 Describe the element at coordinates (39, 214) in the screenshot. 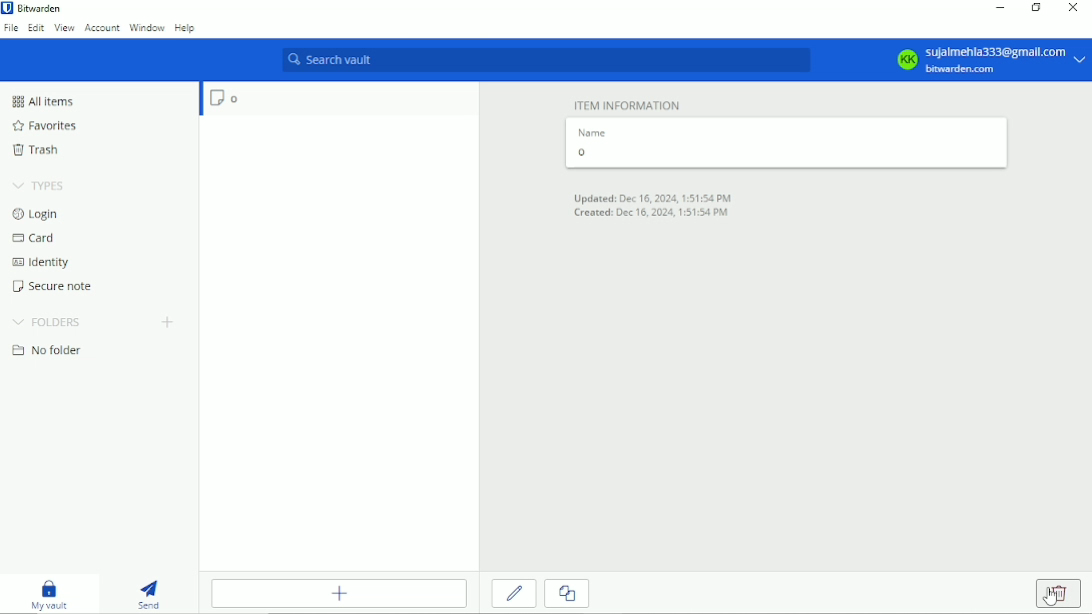

I see `Login` at that location.